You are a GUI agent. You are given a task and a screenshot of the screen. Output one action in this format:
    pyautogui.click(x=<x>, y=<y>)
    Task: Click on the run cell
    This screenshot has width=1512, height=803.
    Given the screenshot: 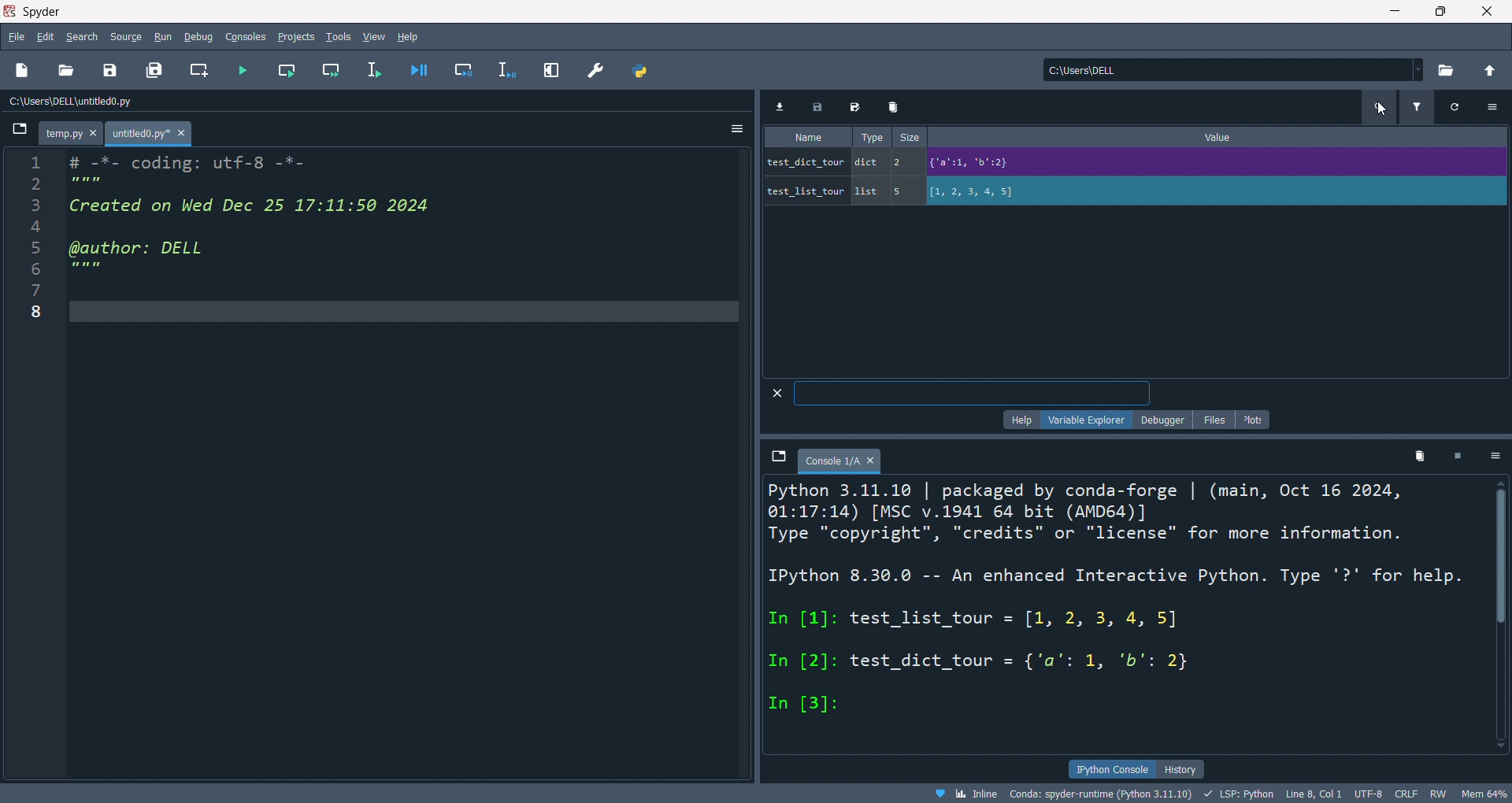 What is the action you would take?
    pyautogui.click(x=283, y=68)
    